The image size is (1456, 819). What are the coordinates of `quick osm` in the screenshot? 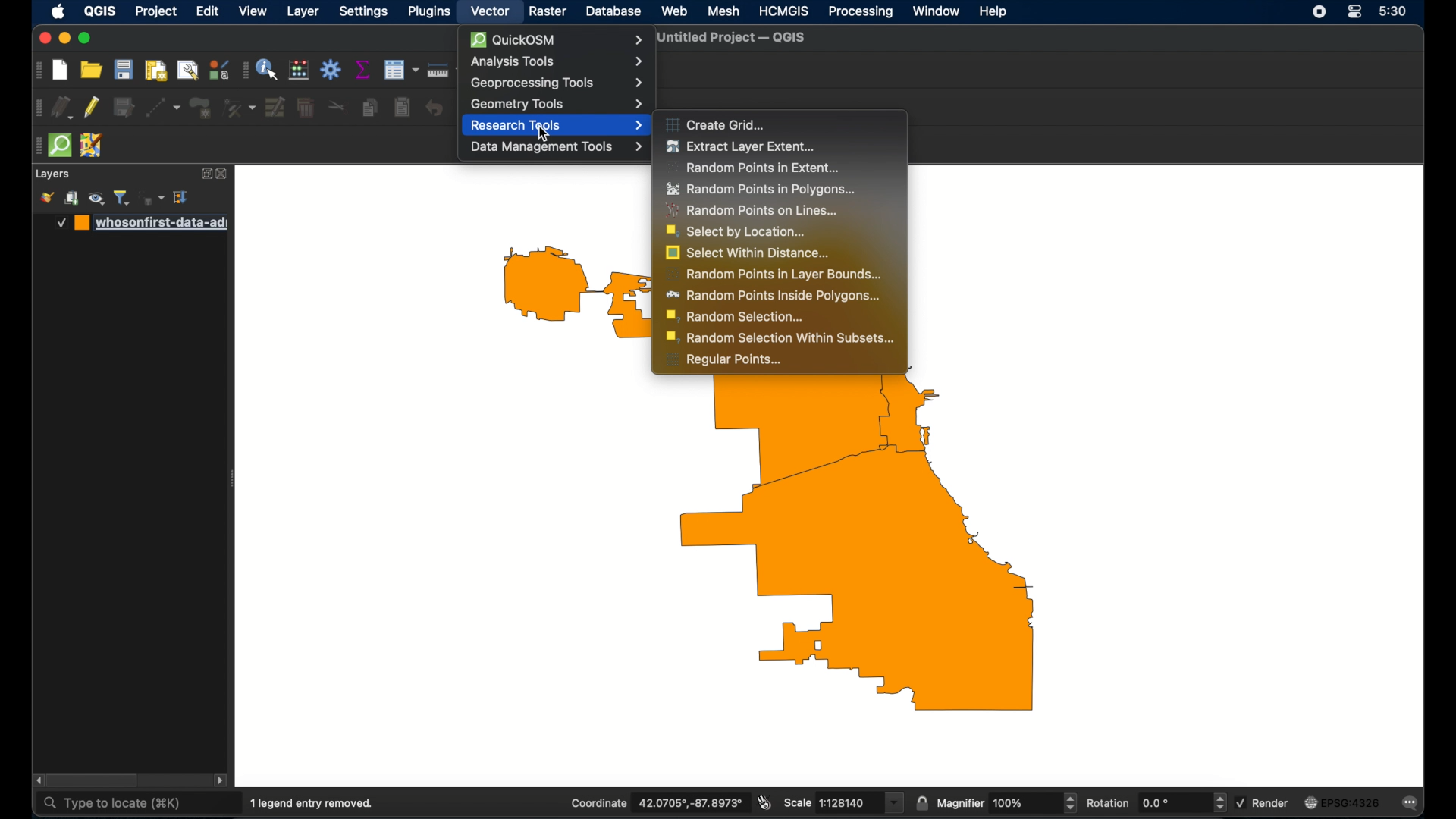 It's located at (59, 144).